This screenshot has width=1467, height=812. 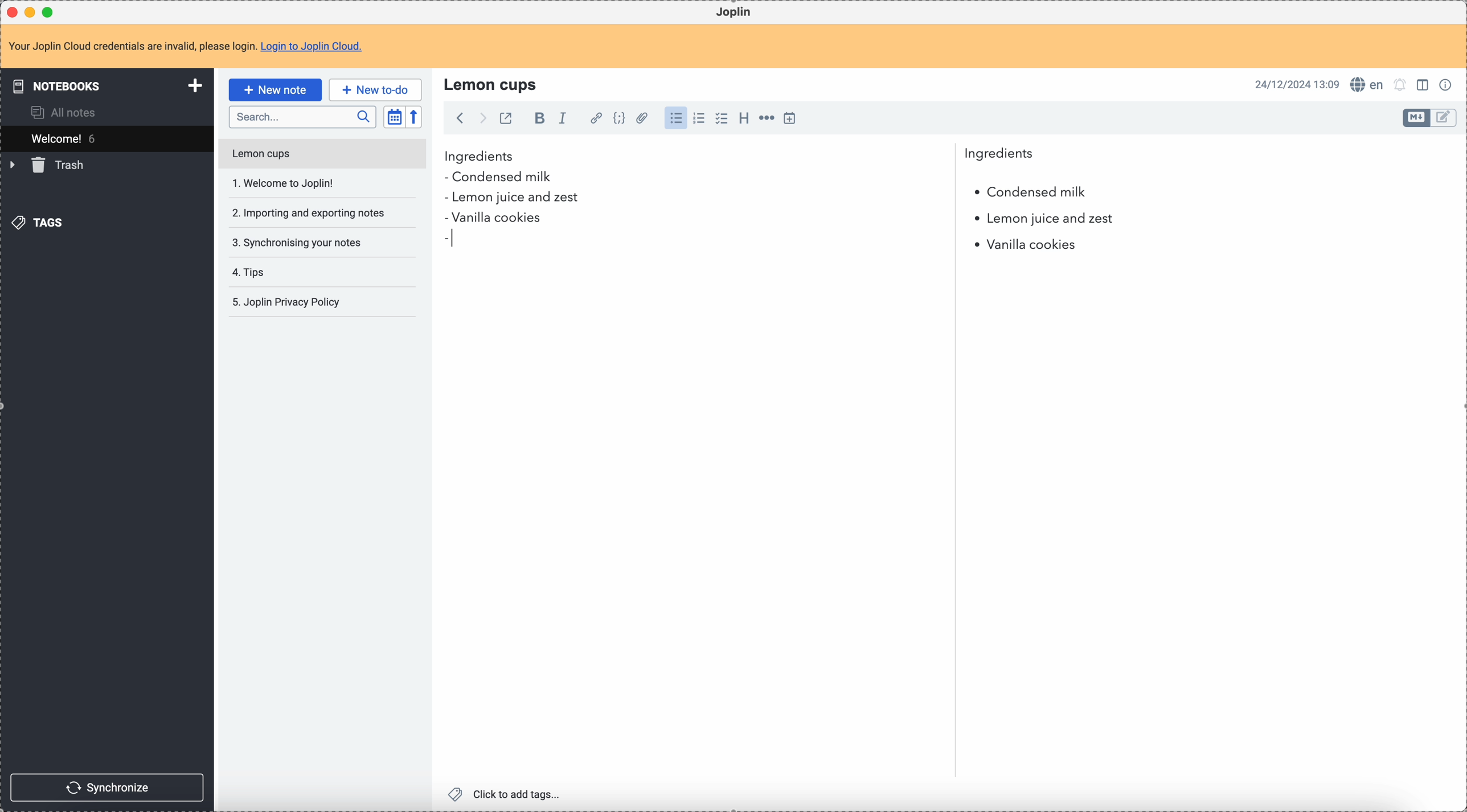 What do you see at coordinates (640, 119) in the screenshot?
I see `attach file` at bounding box center [640, 119].